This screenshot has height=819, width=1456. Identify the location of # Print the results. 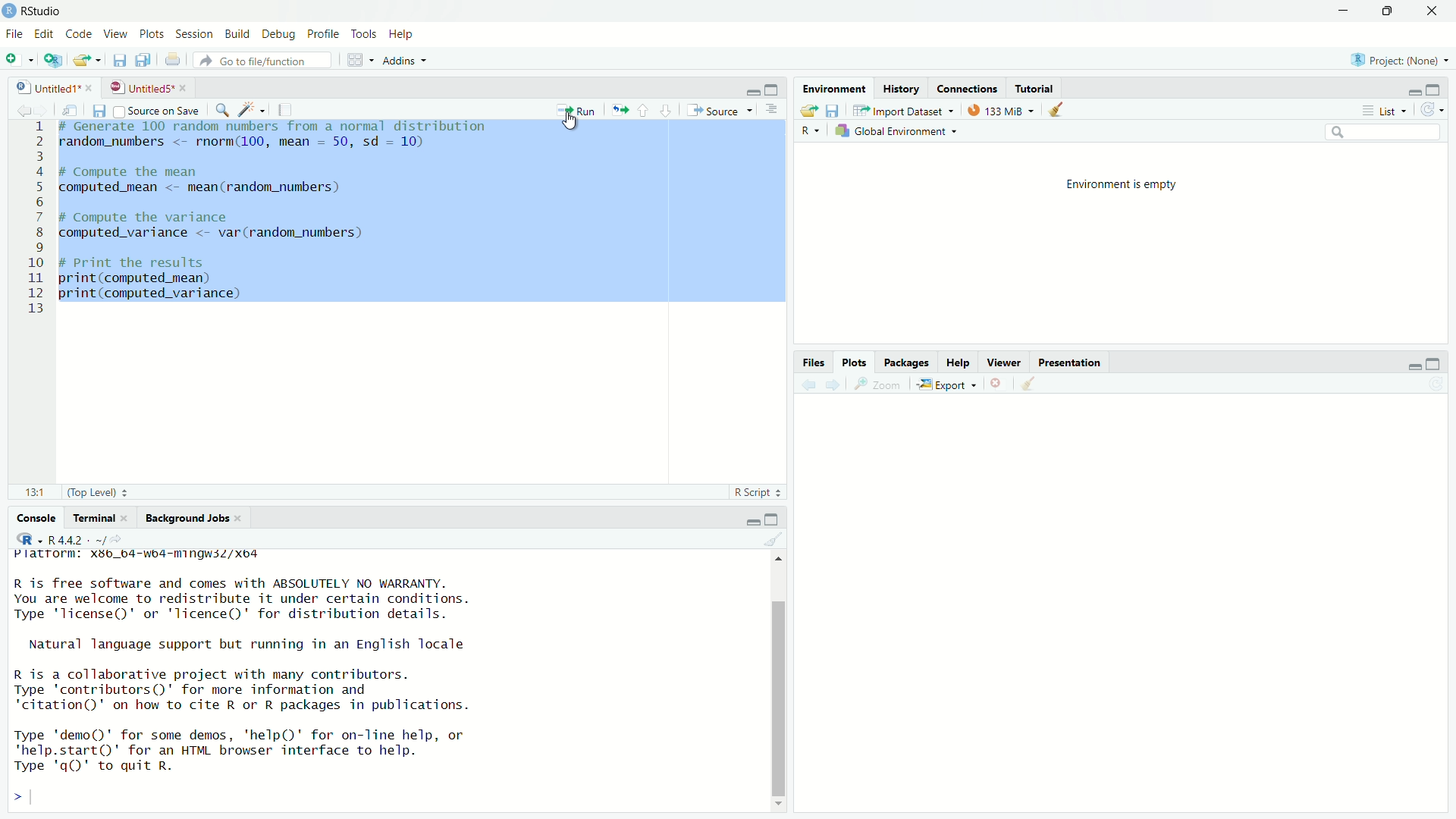
(168, 264).